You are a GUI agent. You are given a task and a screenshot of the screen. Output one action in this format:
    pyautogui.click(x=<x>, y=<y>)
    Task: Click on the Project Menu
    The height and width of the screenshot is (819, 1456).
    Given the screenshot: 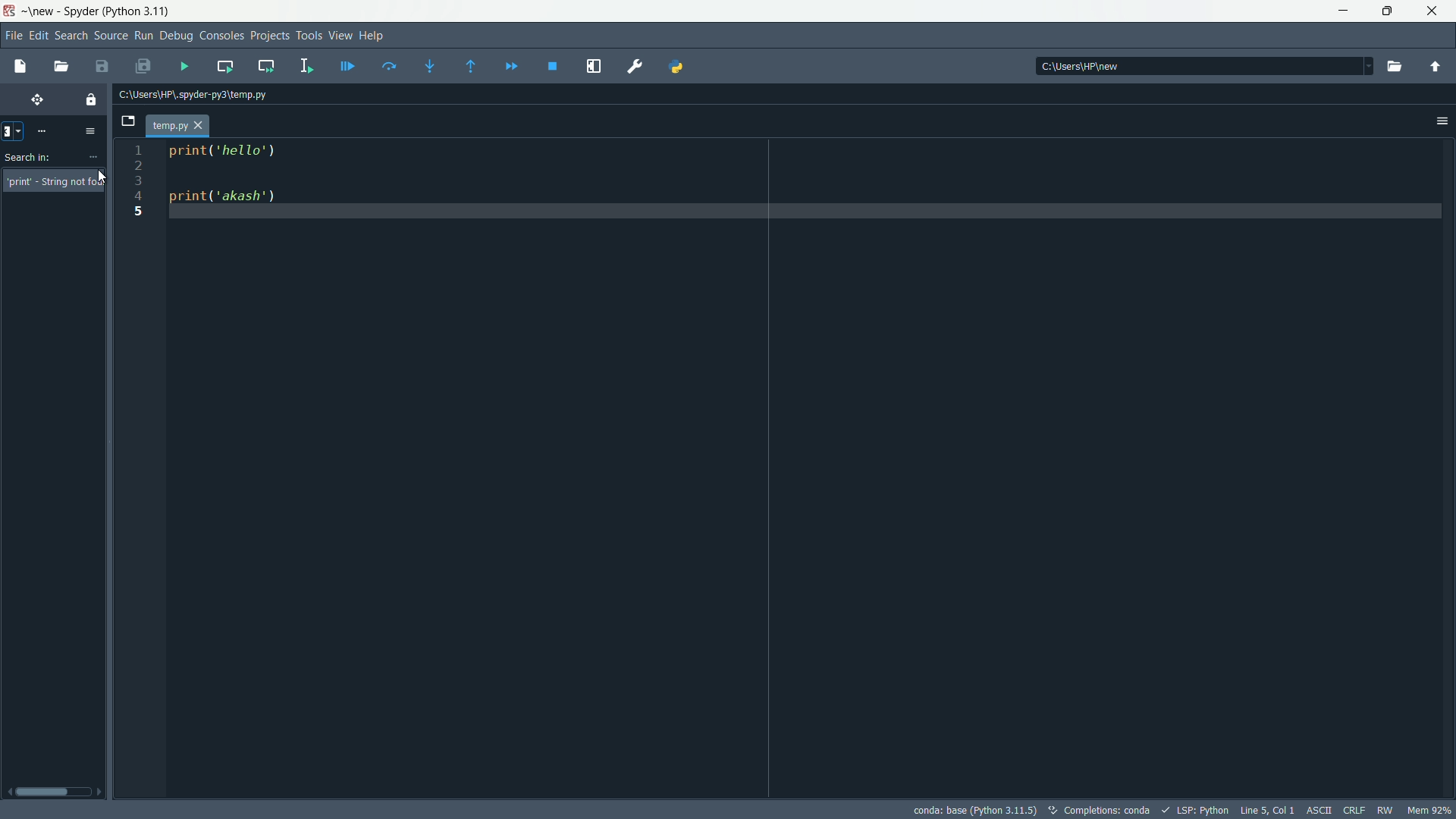 What is the action you would take?
    pyautogui.click(x=267, y=35)
    